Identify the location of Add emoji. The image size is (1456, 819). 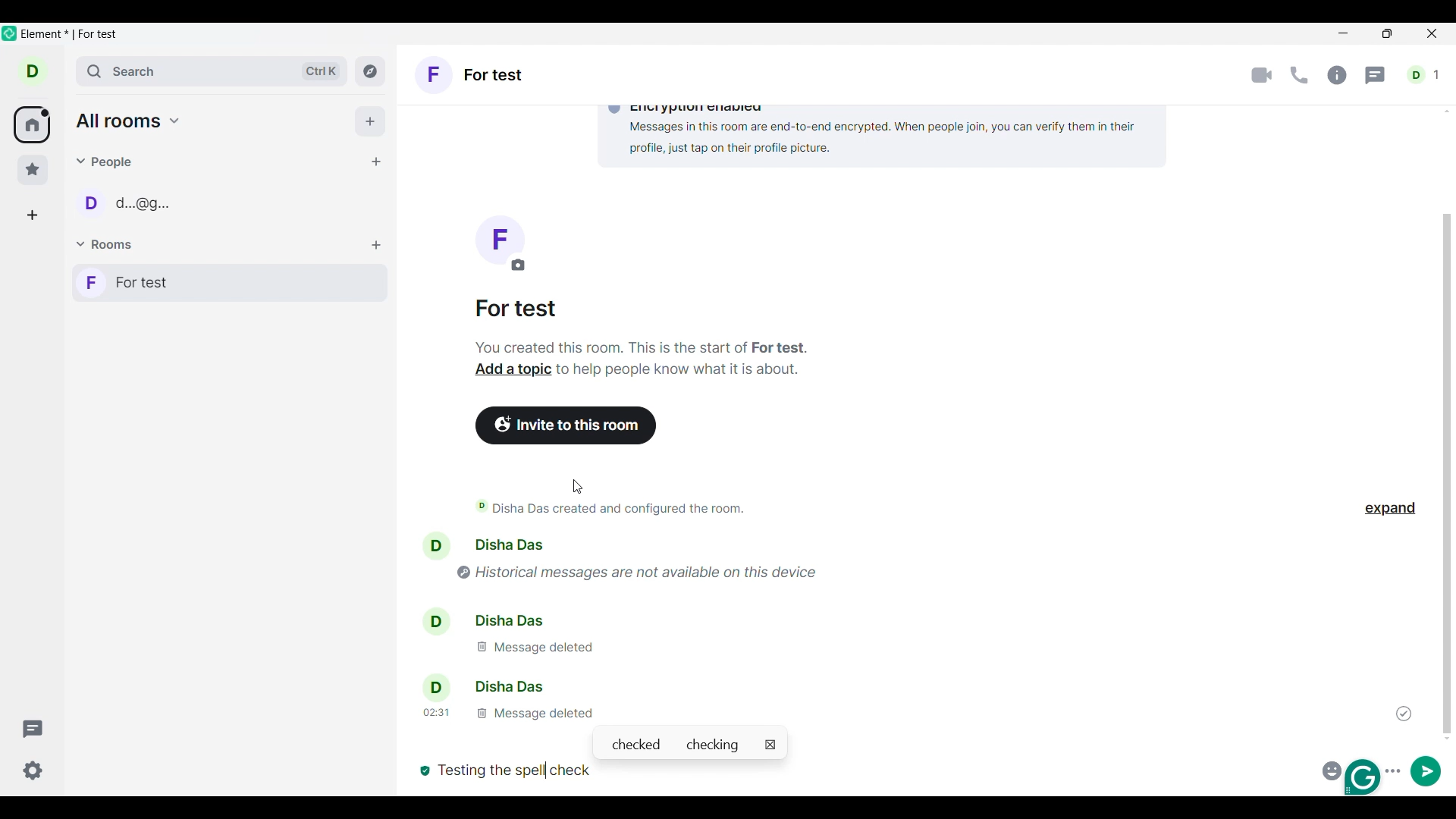
(1329, 769).